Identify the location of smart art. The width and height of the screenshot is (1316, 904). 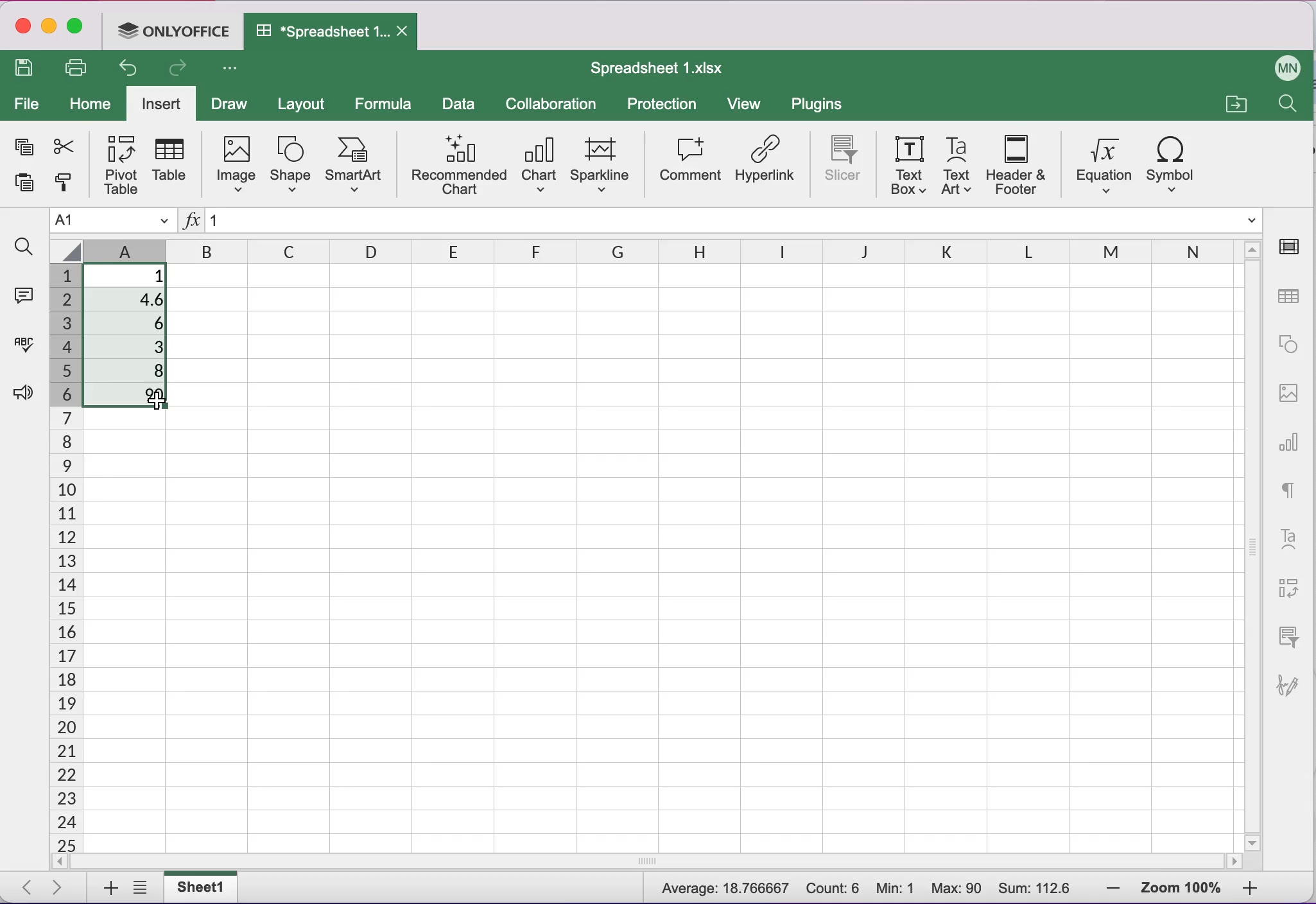
(356, 164).